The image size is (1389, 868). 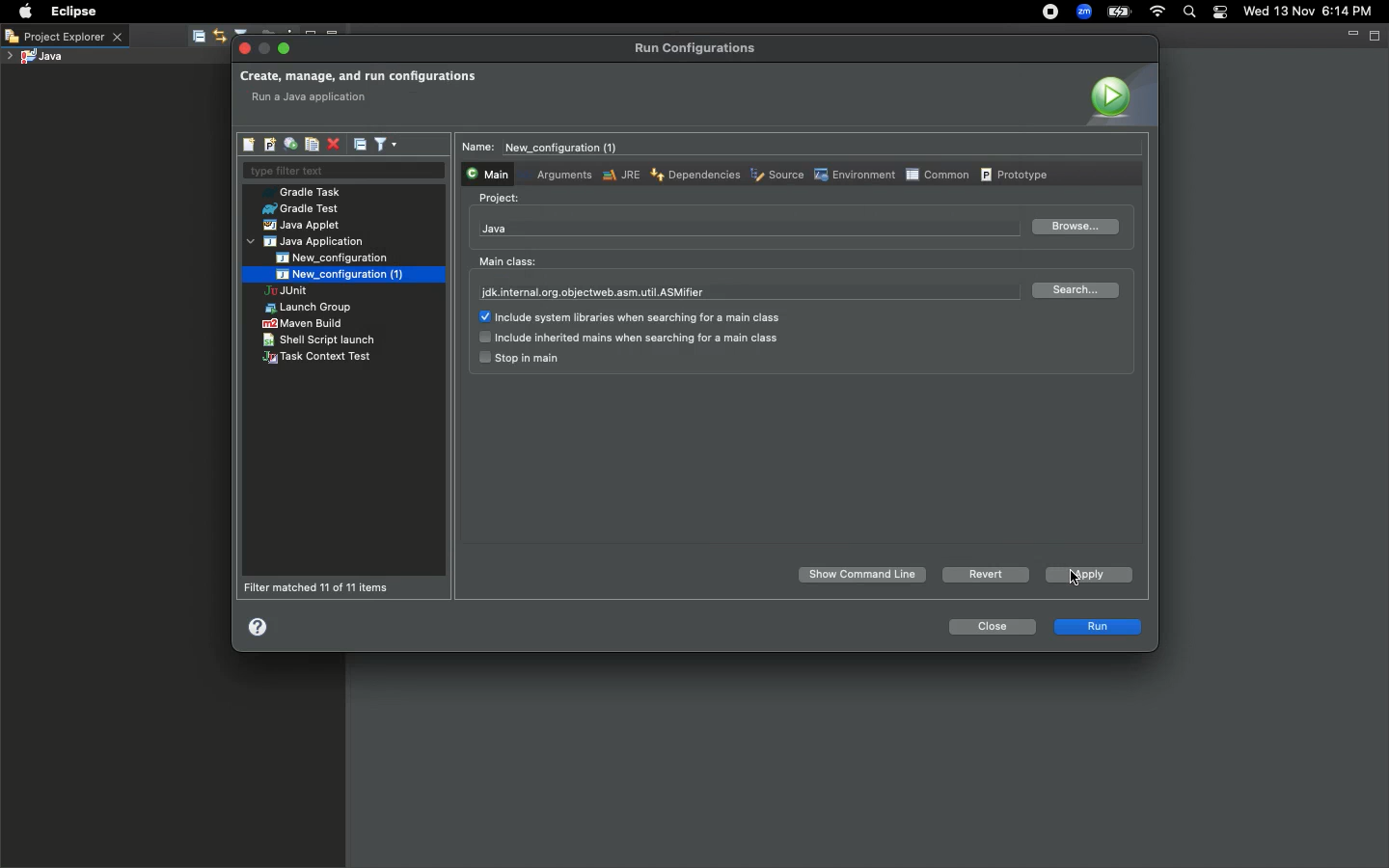 What do you see at coordinates (776, 176) in the screenshot?
I see `Source` at bounding box center [776, 176].